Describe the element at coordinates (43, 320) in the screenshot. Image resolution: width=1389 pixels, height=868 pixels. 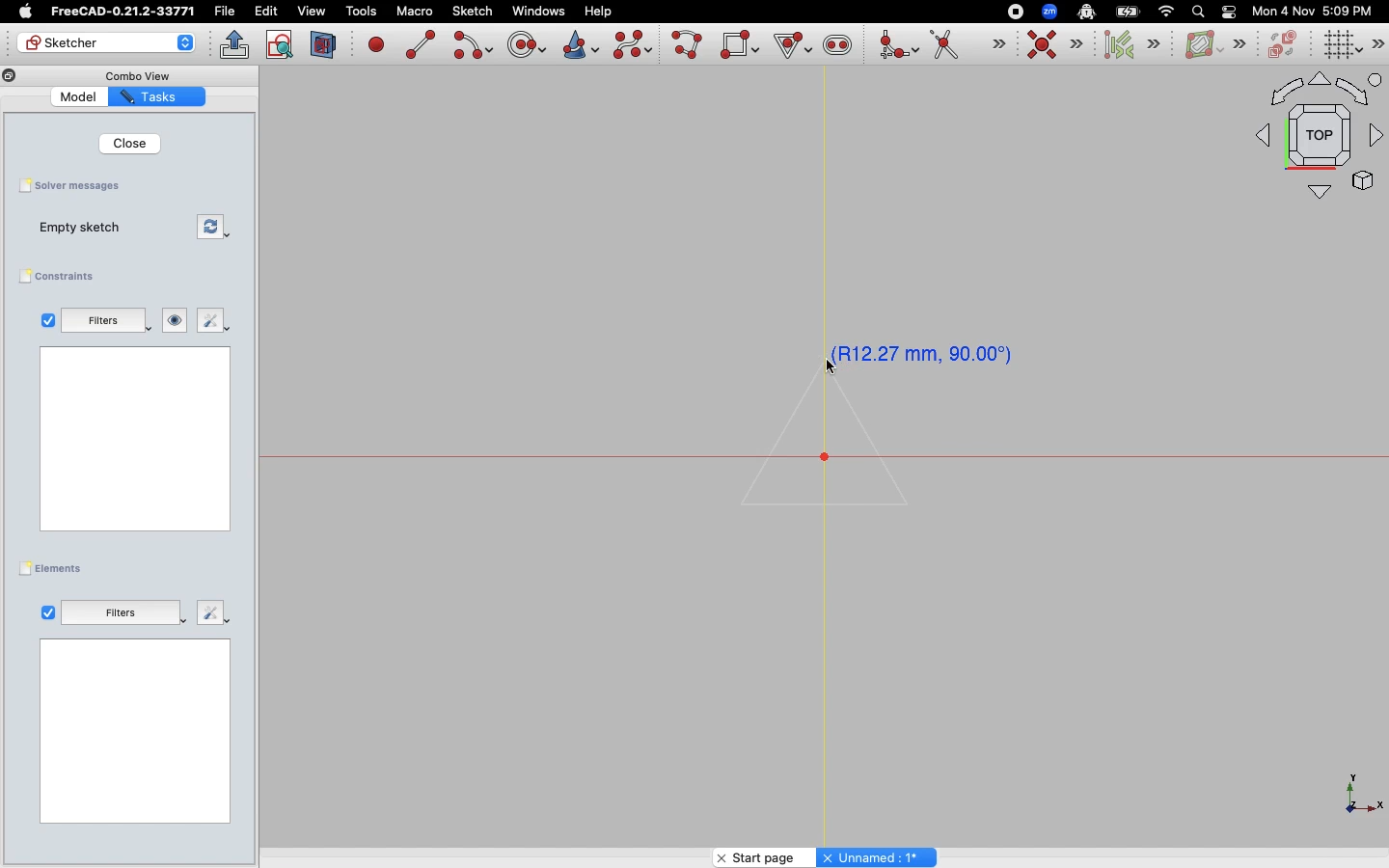
I see `Checkbox` at that location.